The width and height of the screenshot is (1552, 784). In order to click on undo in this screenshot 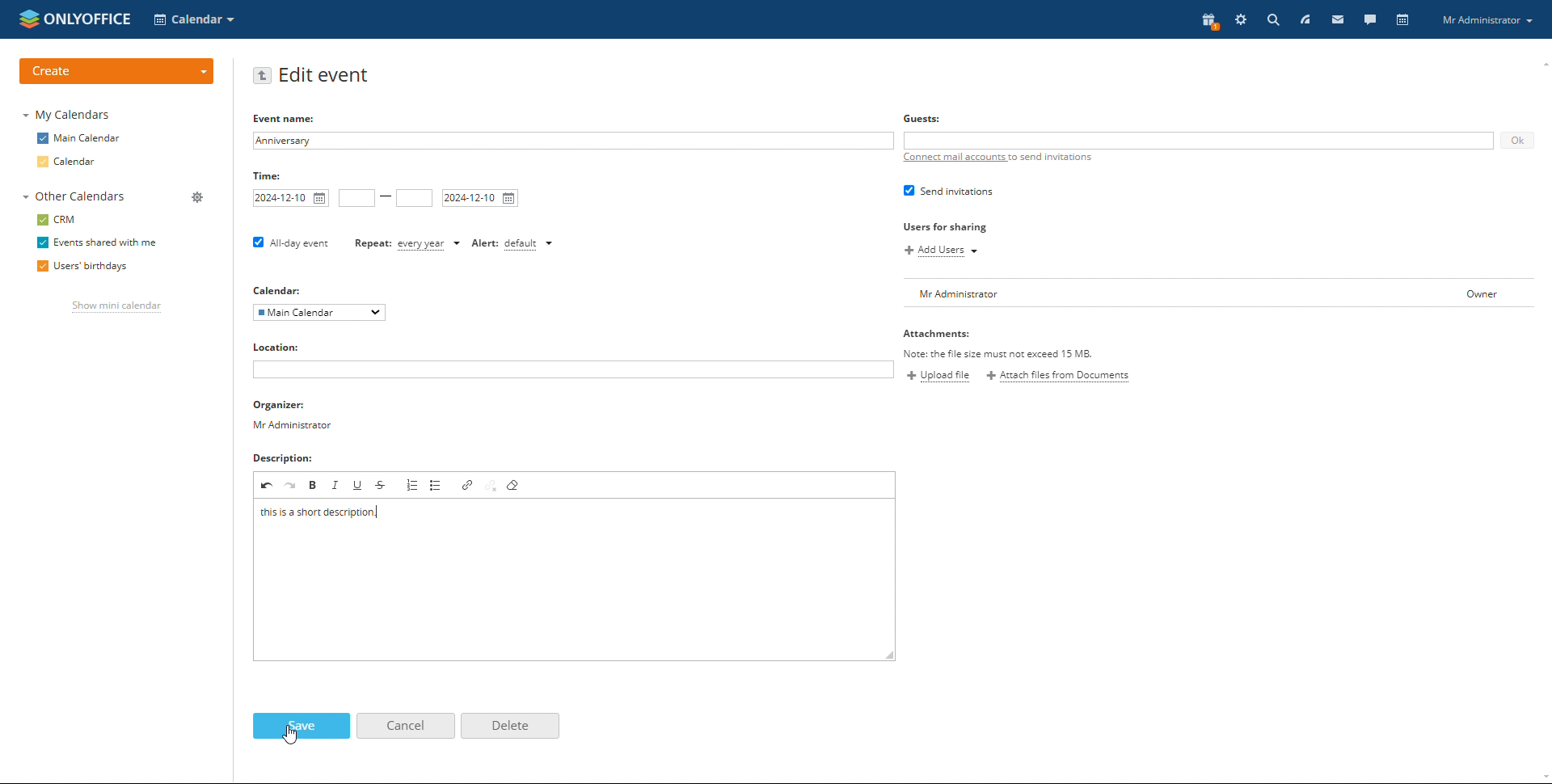, I will do `click(266, 485)`.